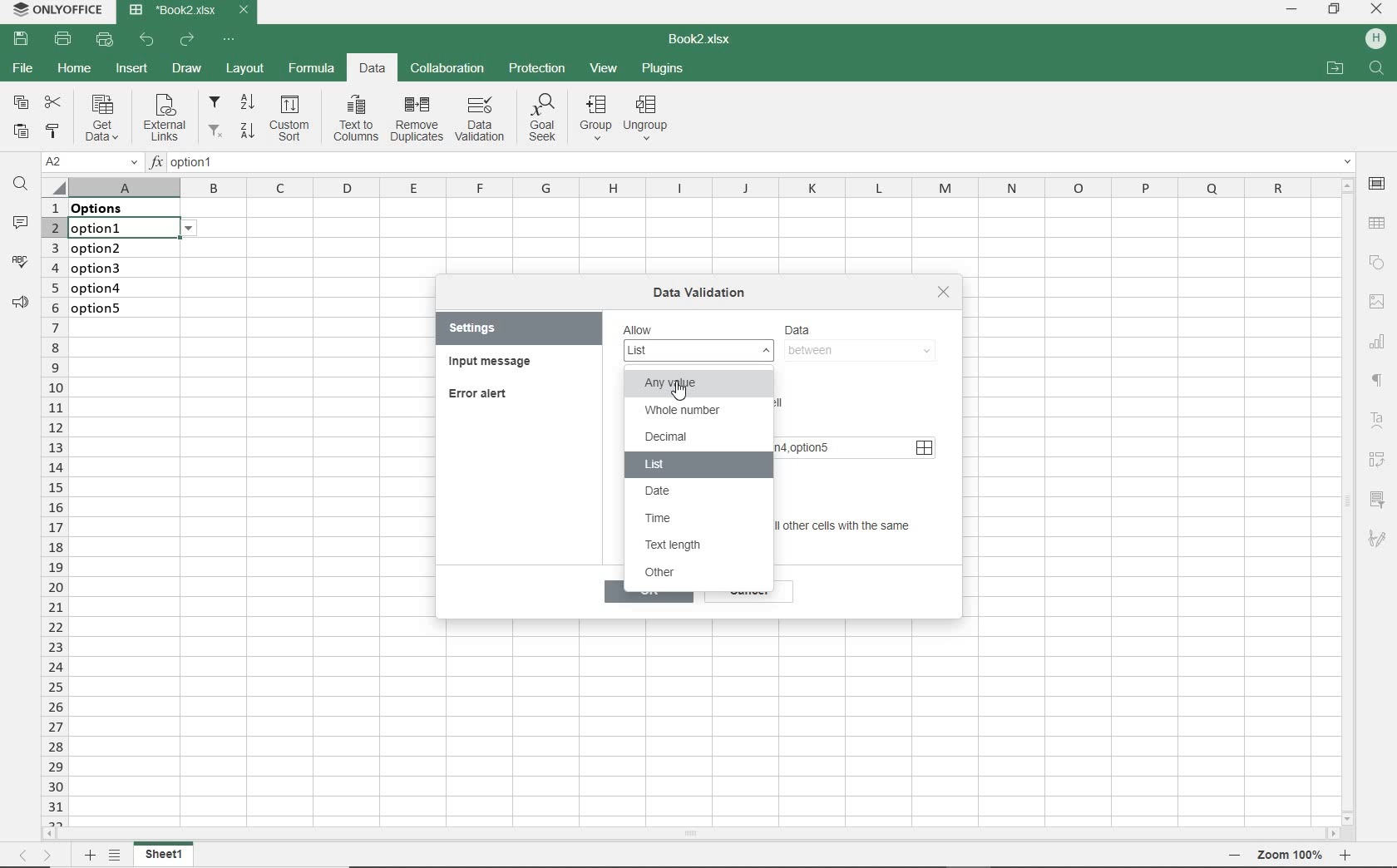  I want to click on CLOSE, so click(1378, 8).